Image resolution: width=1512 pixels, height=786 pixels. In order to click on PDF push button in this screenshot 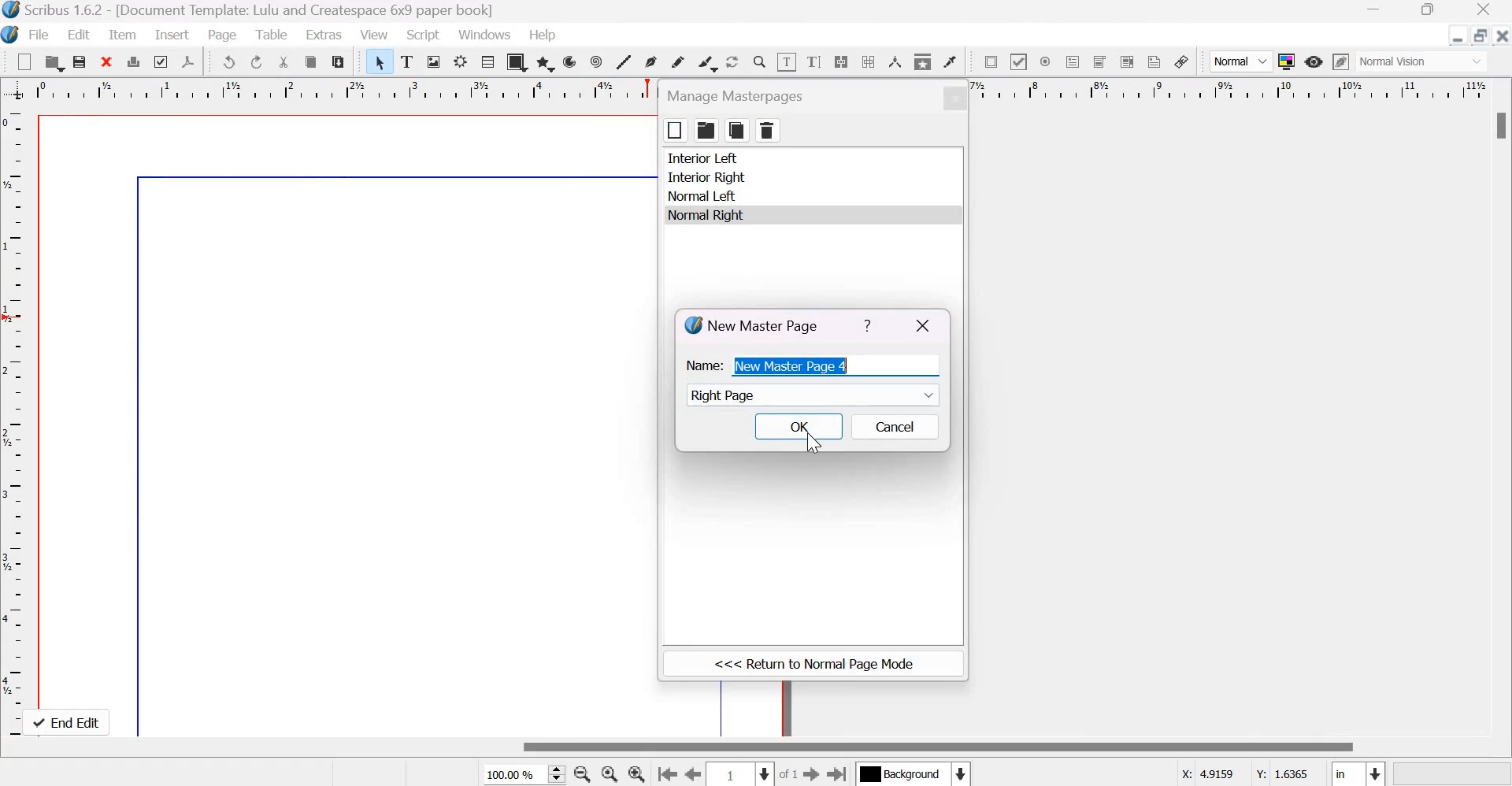, I will do `click(989, 61)`.